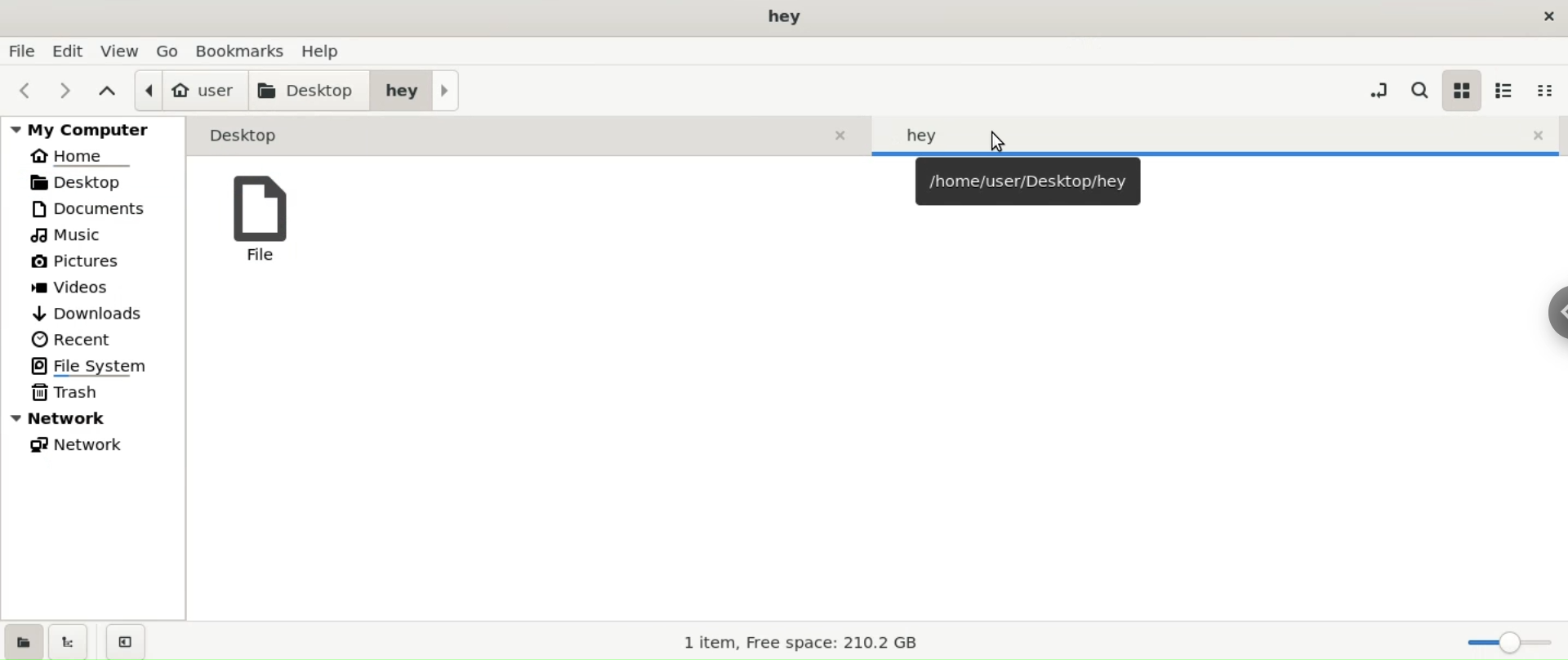 The width and height of the screenshot is (1568, 660). Describe the element at coordinates (125, 641) in the screenshot. I see `close sidebar` at that location.